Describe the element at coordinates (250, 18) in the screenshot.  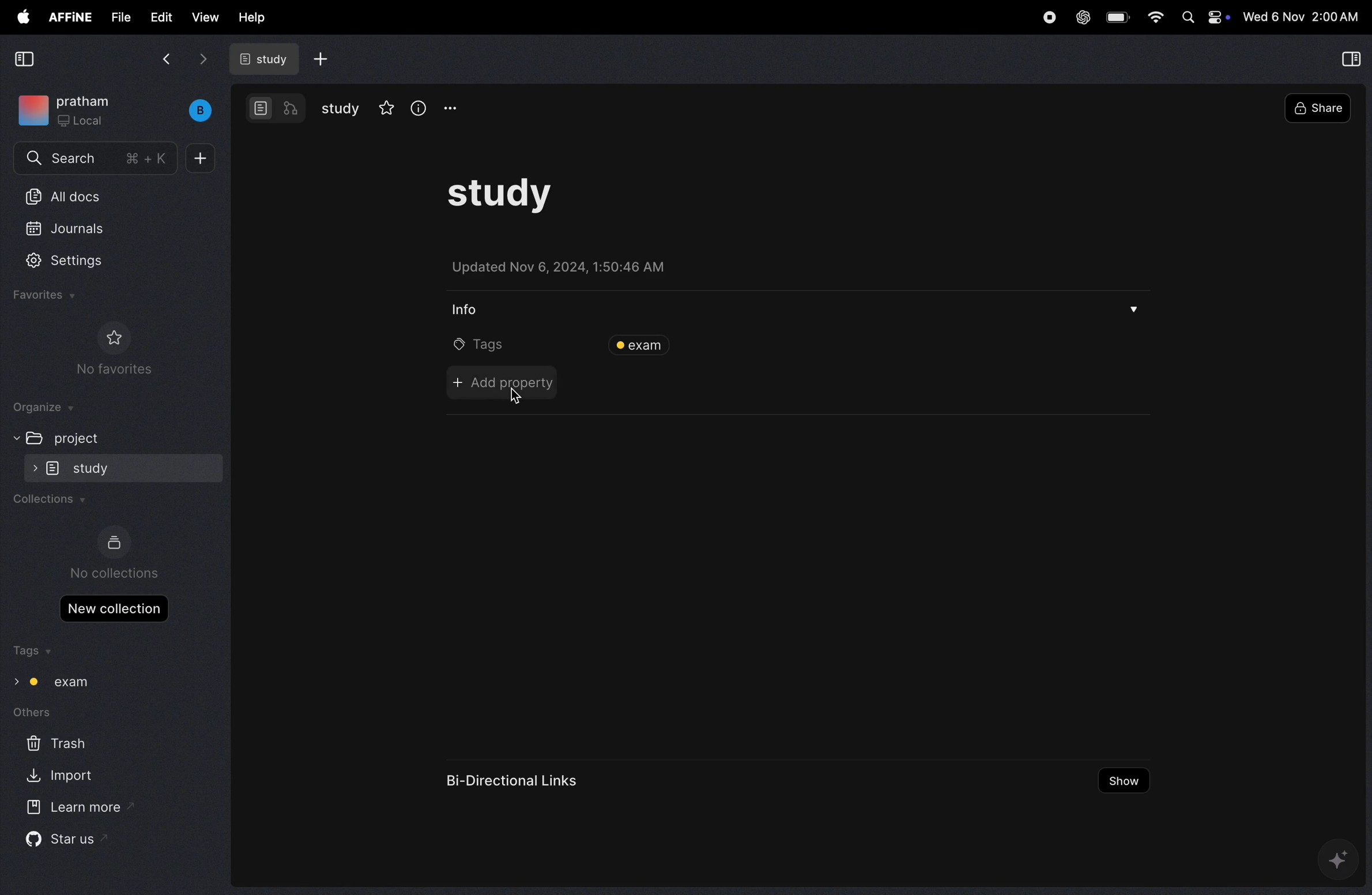
I see `help` at that location.